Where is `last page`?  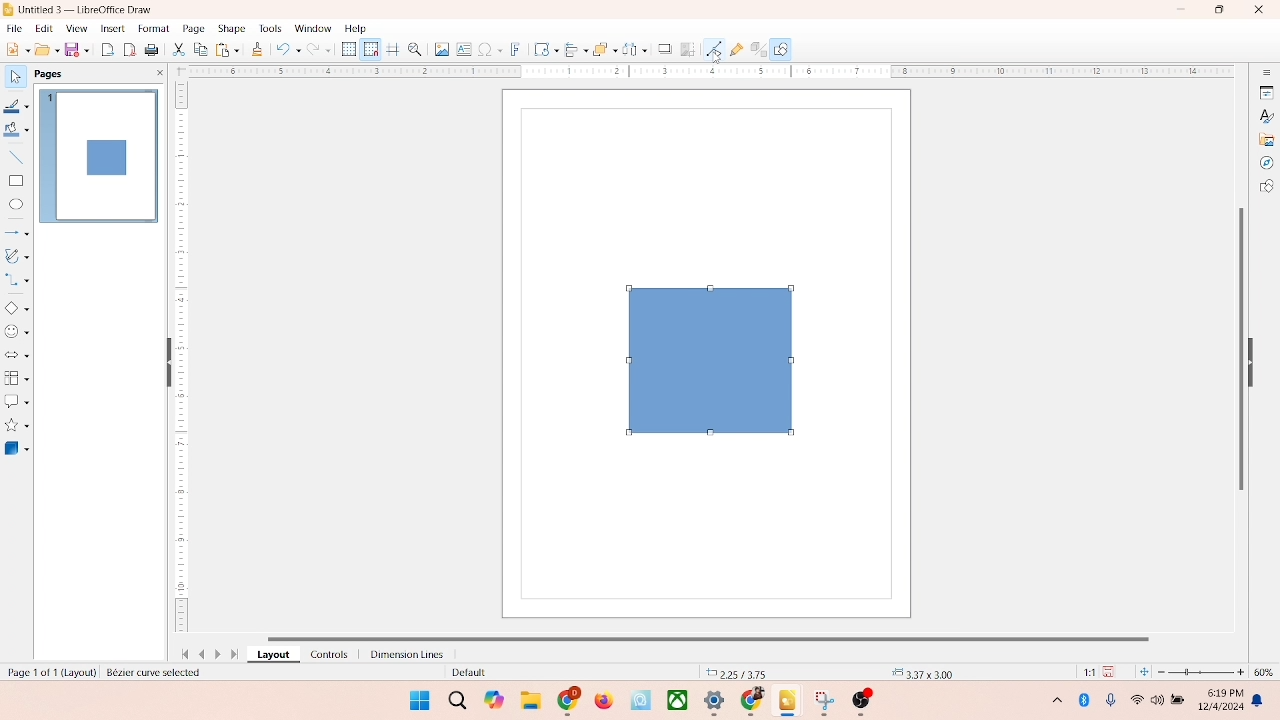 last page is located at coordinates (236, 655).